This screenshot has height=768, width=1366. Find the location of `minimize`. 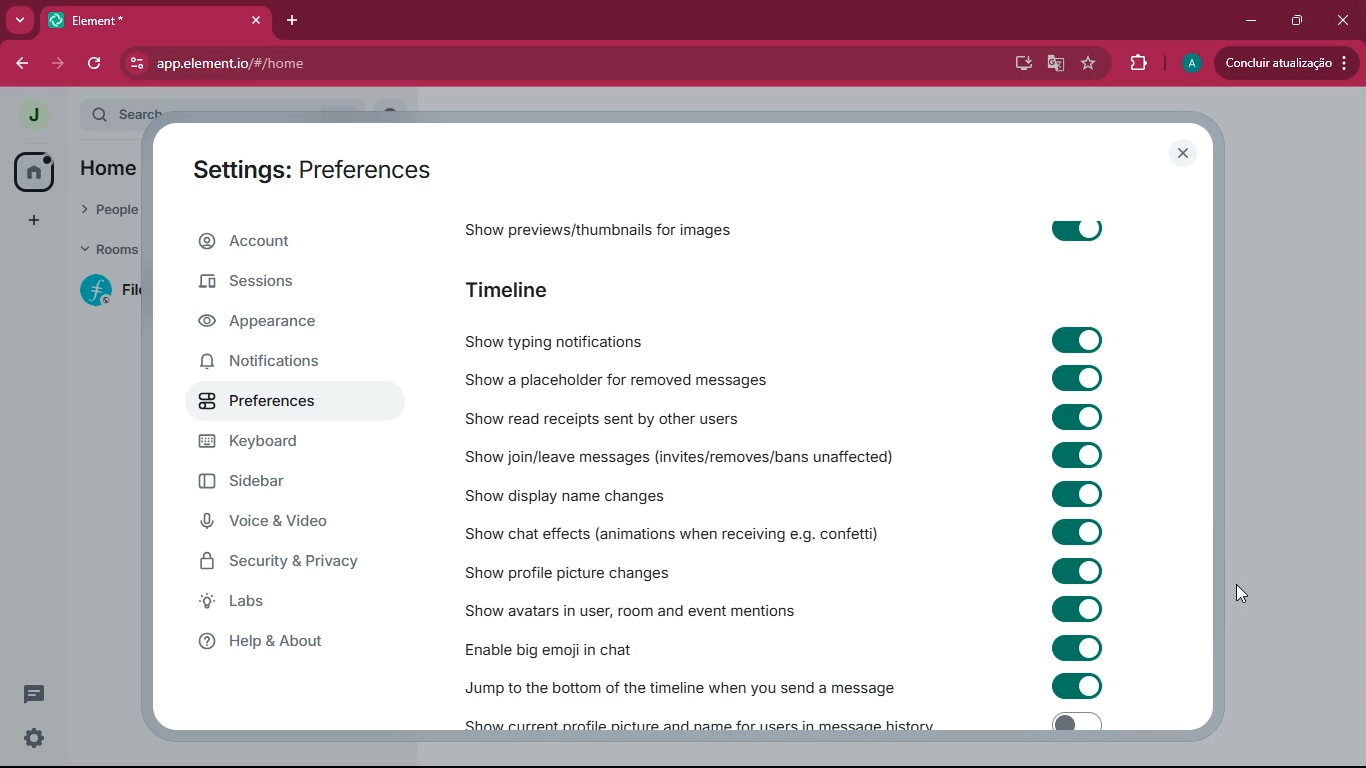

minimize is located at coordinates (1252, 18).